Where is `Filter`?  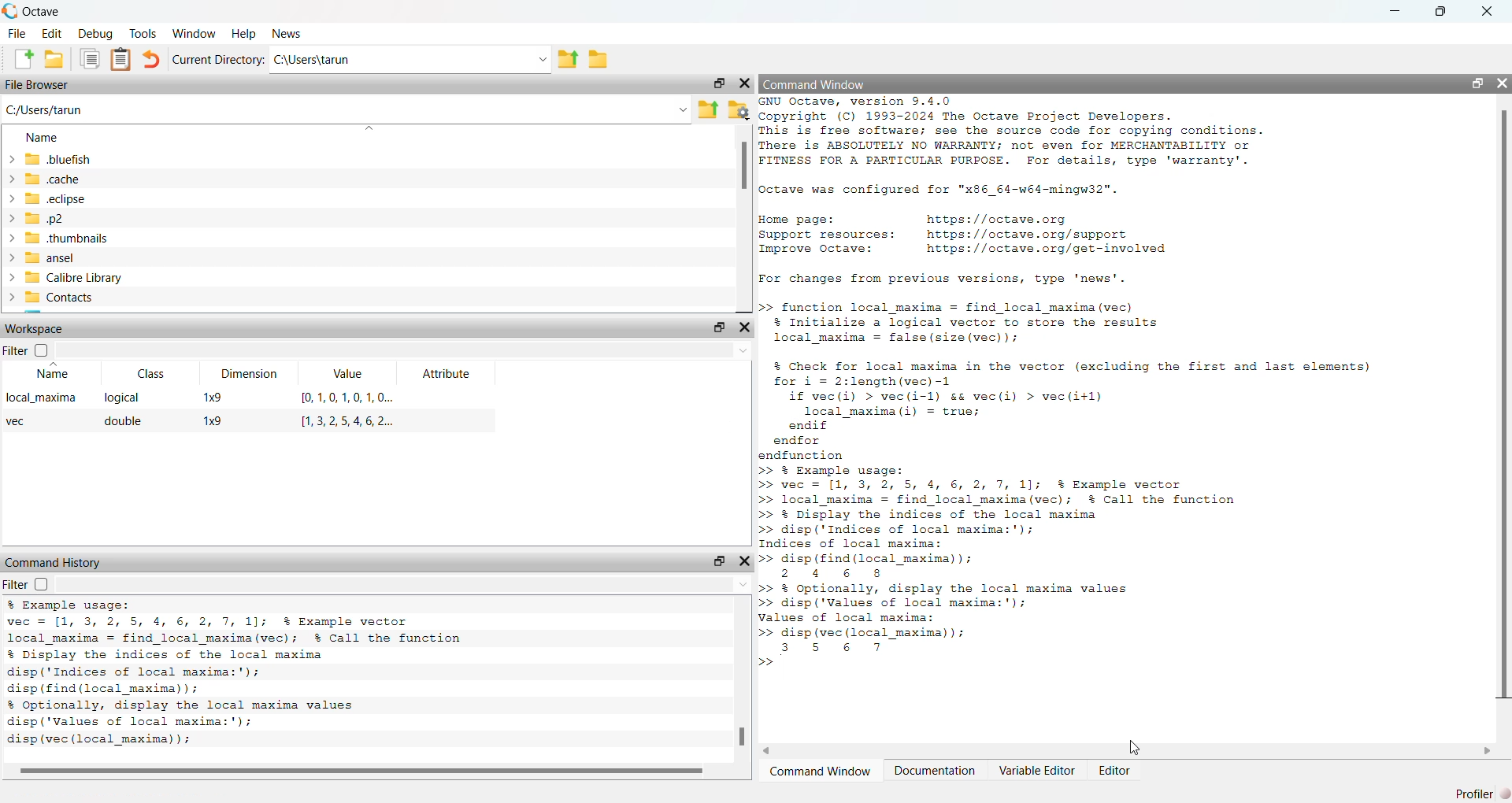
Filter is located at coordinates (26, 583).